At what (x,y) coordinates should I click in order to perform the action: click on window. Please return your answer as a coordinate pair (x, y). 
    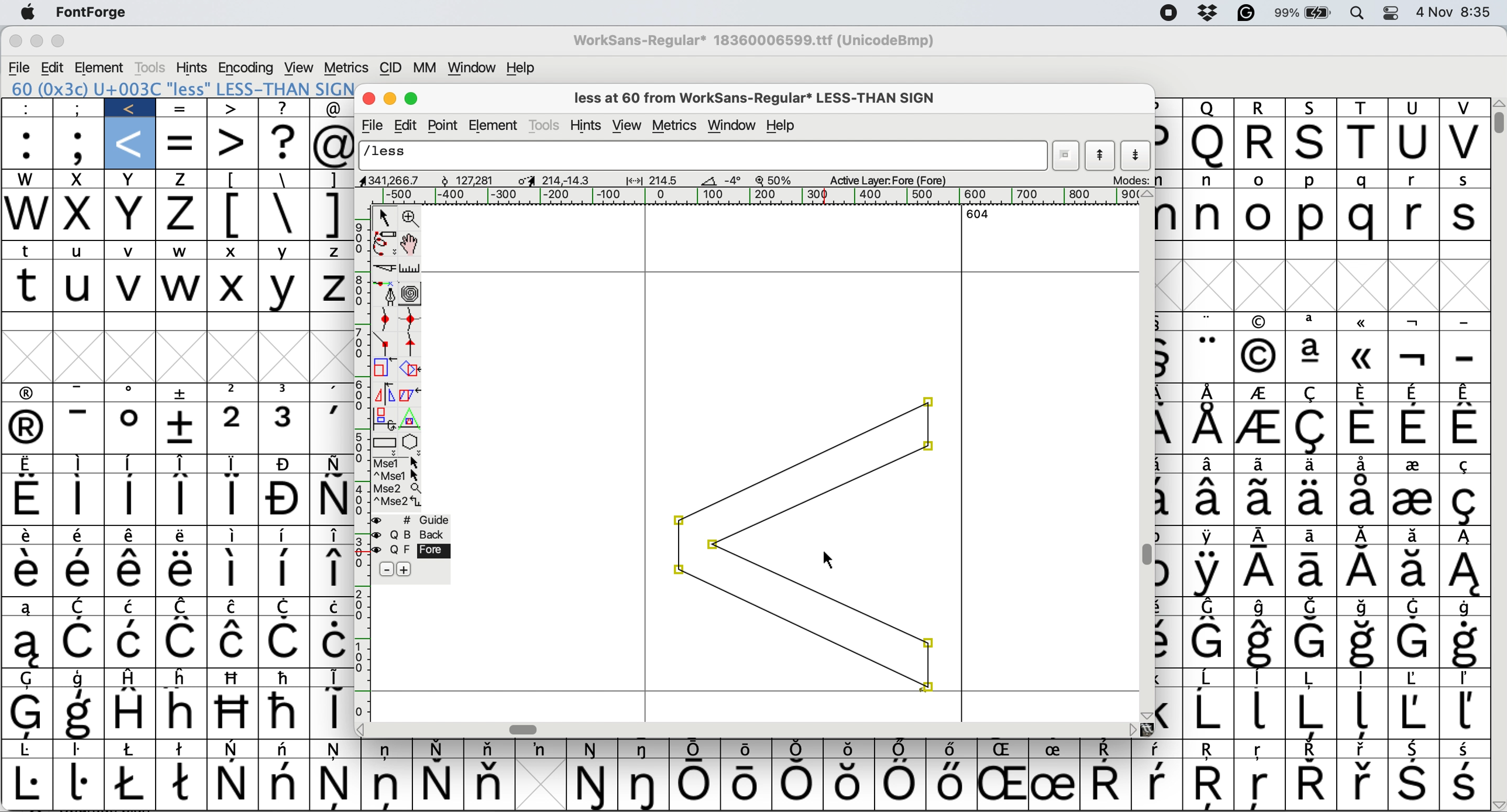
    Looking at the image, I should click on (473, 67).